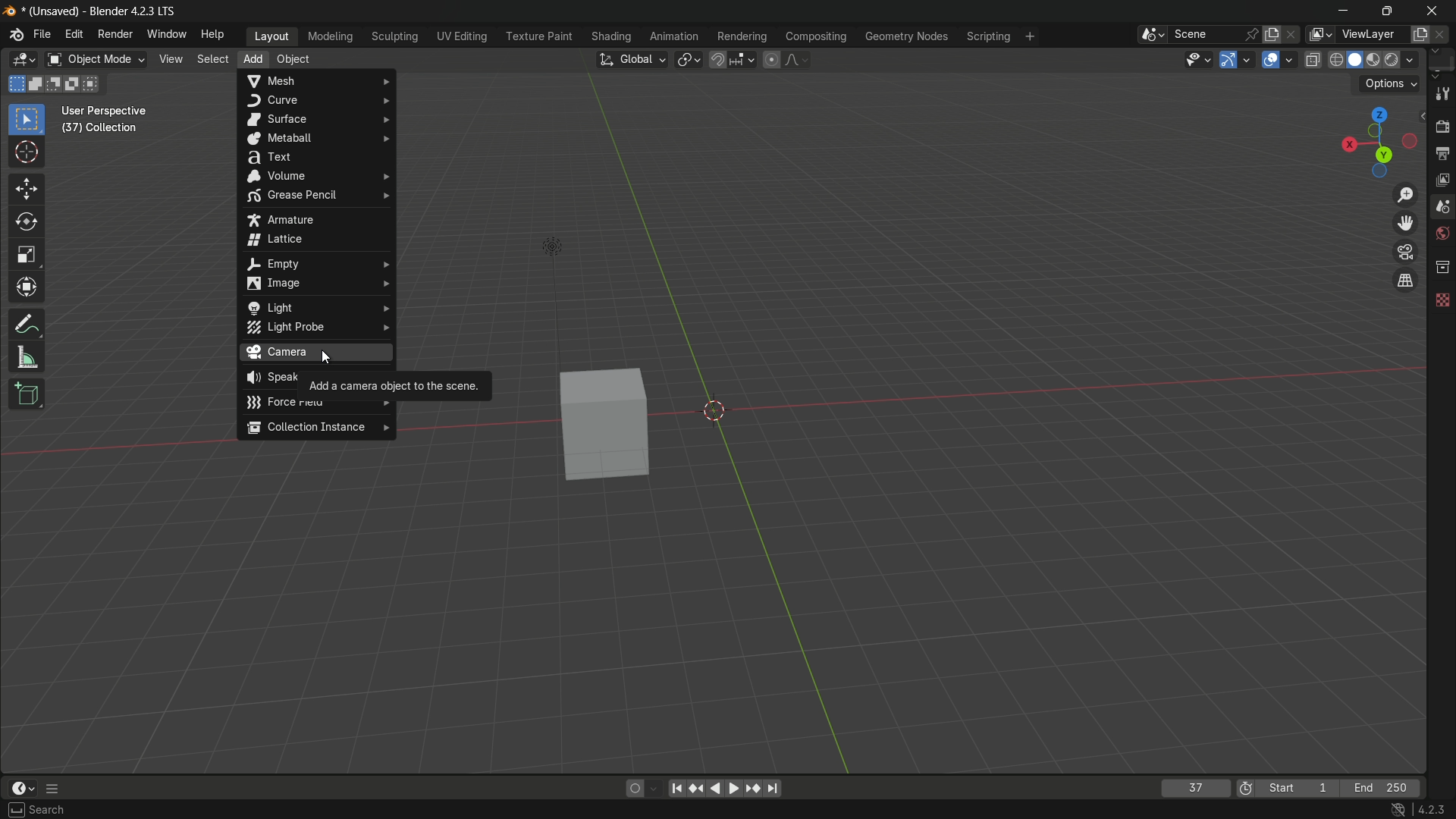 This screenshot has height=819, width=1456. What do you see at coordinates (742, 36) in the screenshot?
I see `rendering menu` at bounding box center [742, 36].